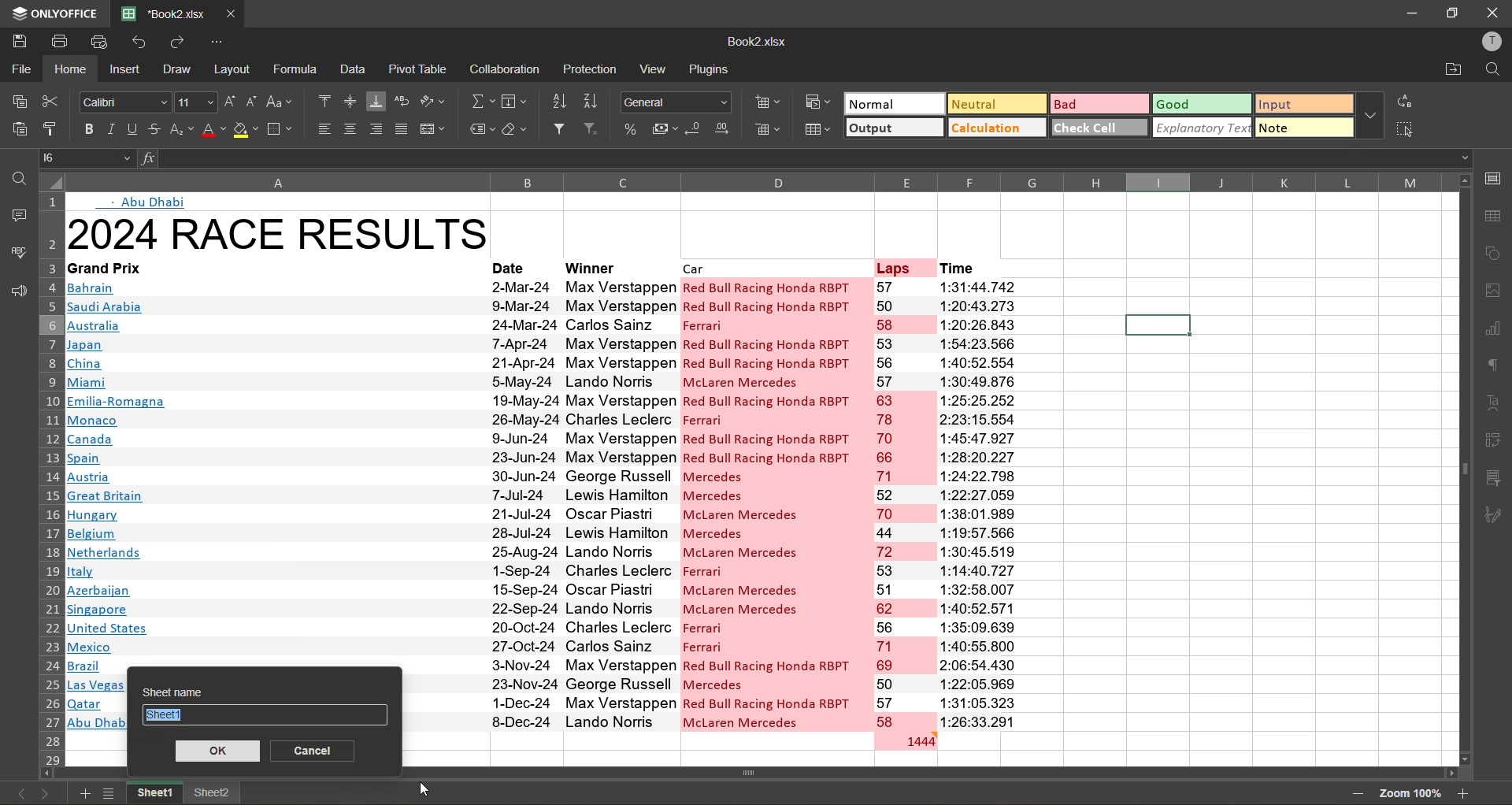 This screenshot has height=805, width=1512. What do you see at coordinates (435, 104) in the screenshot?
I see `orientation` at bounding box center [435, 104].